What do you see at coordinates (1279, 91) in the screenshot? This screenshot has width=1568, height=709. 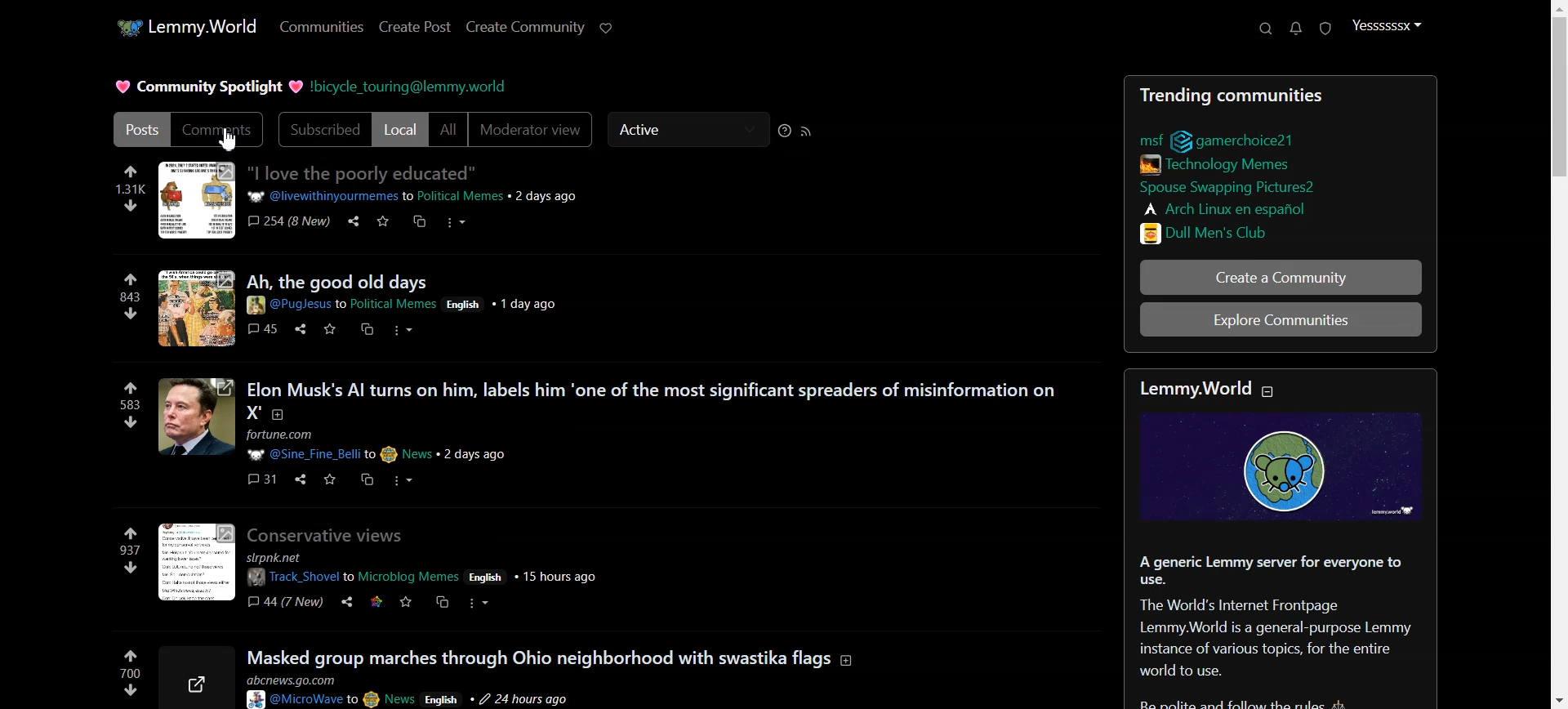 I see `Posts` at bounding box center [1279, 91].